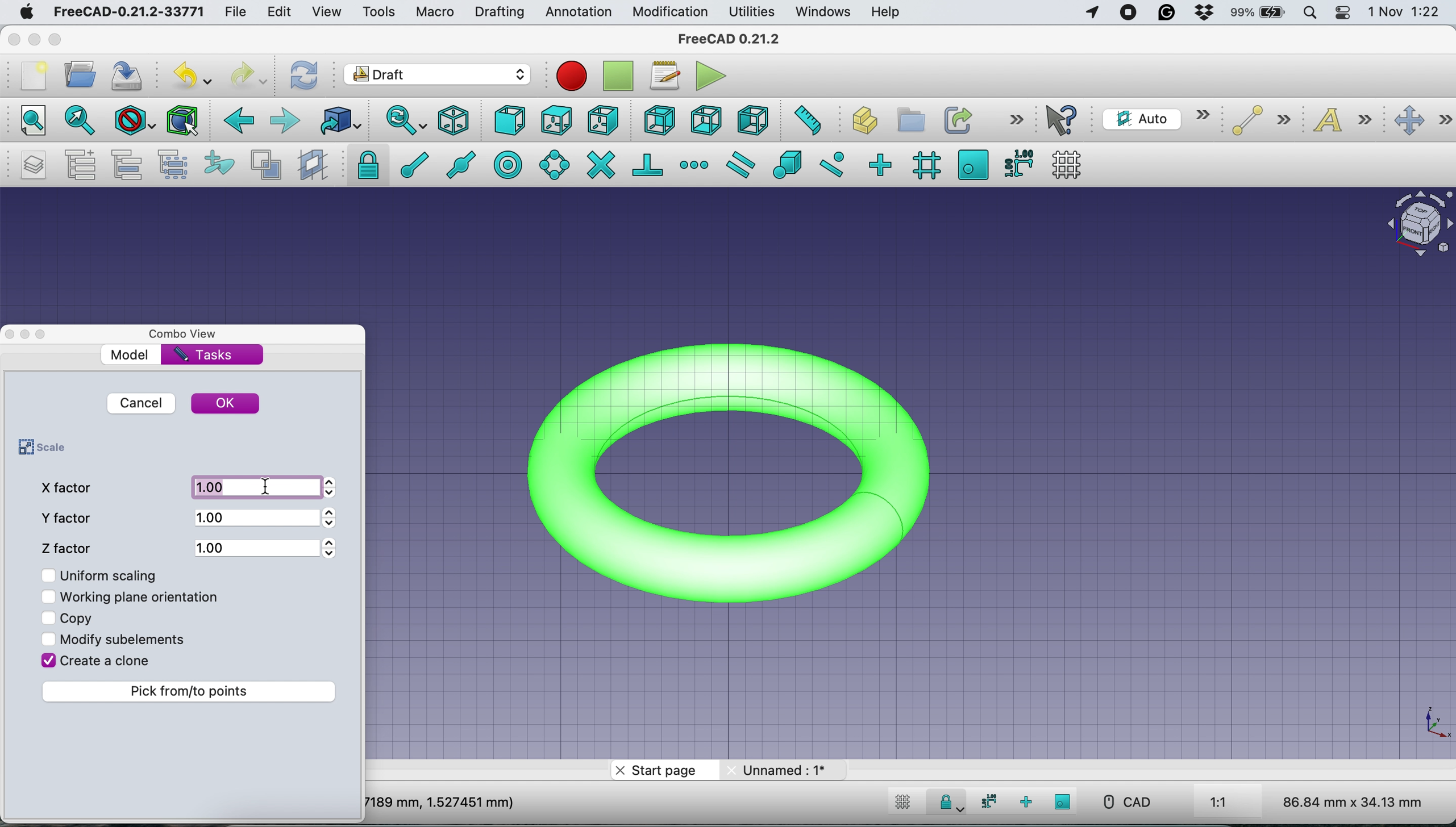 The image size is (1456, 827). What do you see at coordinates (32, 76) in the screenshot?
I see `new` at bounding box center [32, 76].